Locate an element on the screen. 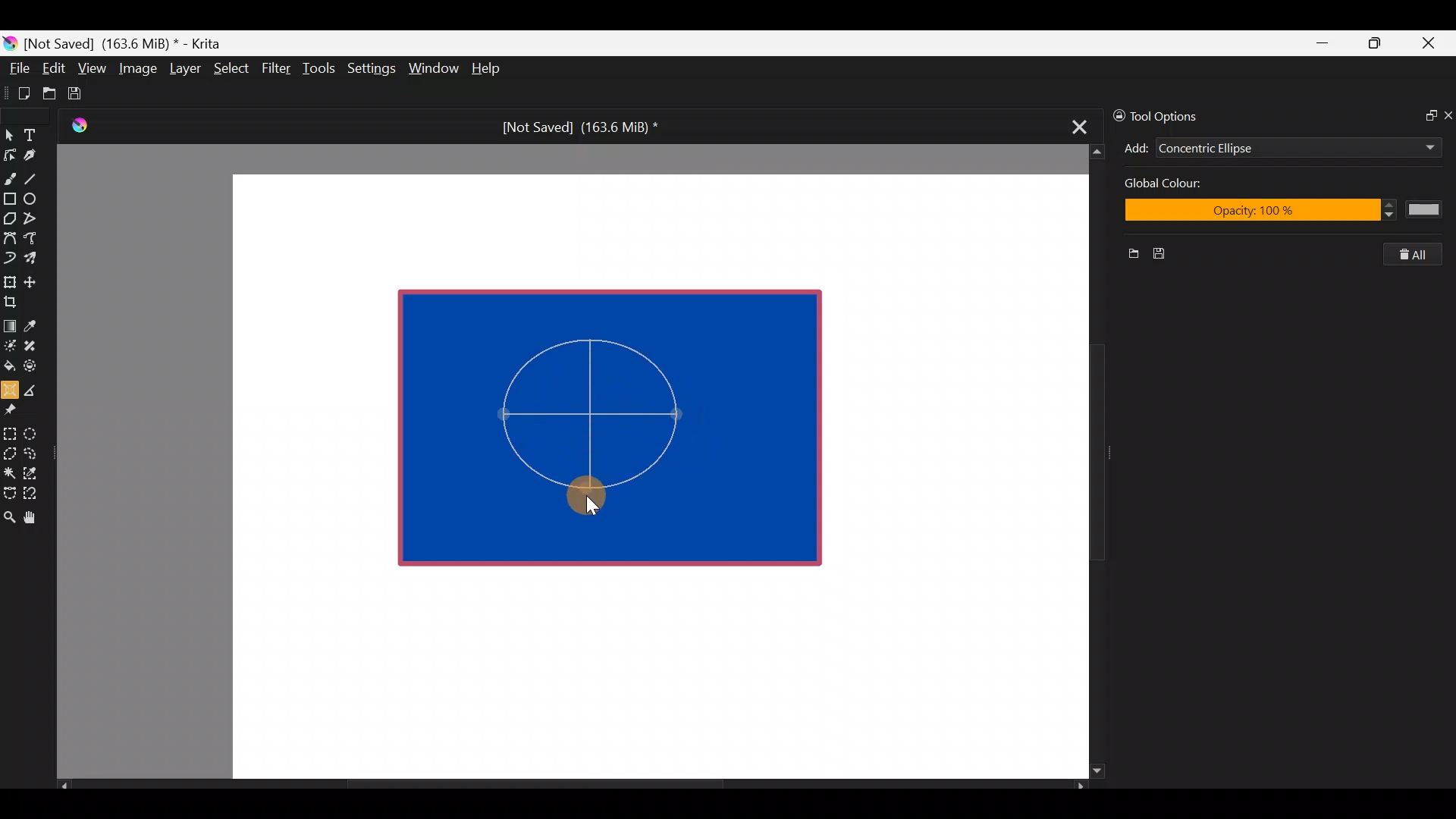 The width and height of the screenshot is (1456, 819). Contiguous selection tool is located at coordinates (9, 469).